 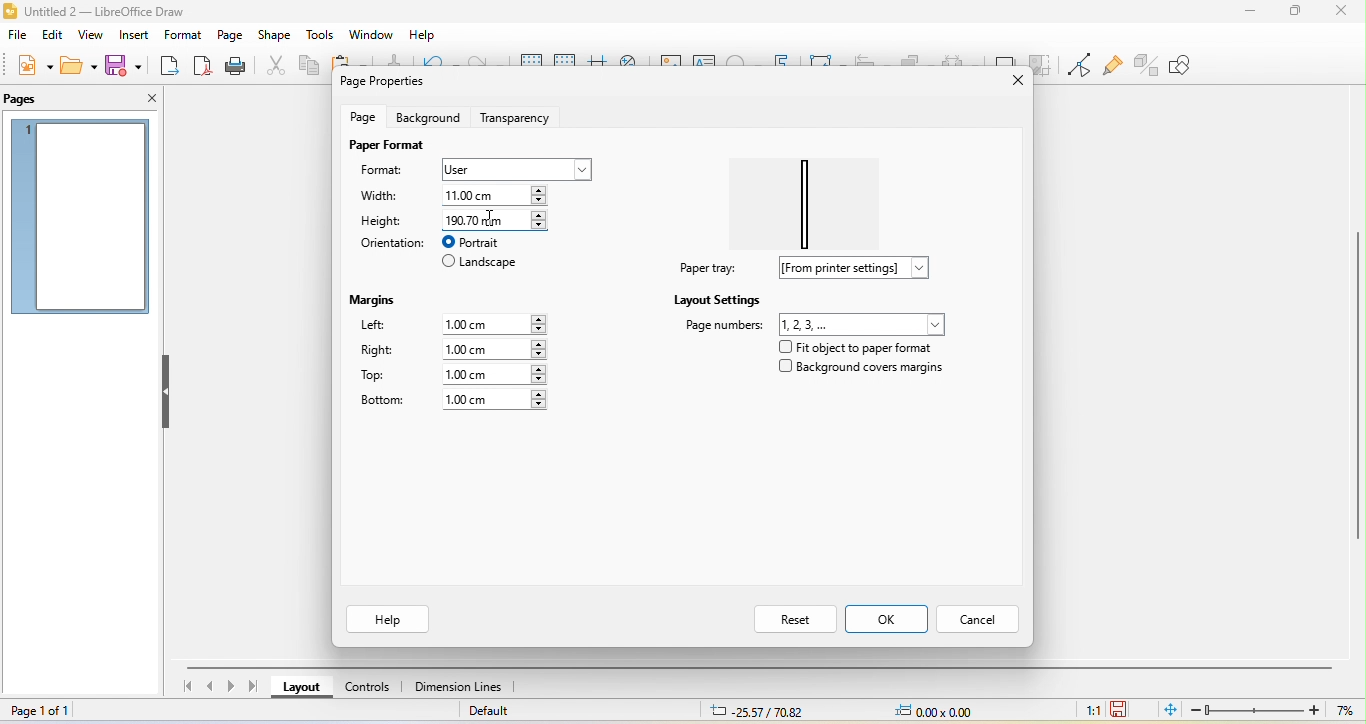 I want to click on bottom, so click(x=382, y=401).